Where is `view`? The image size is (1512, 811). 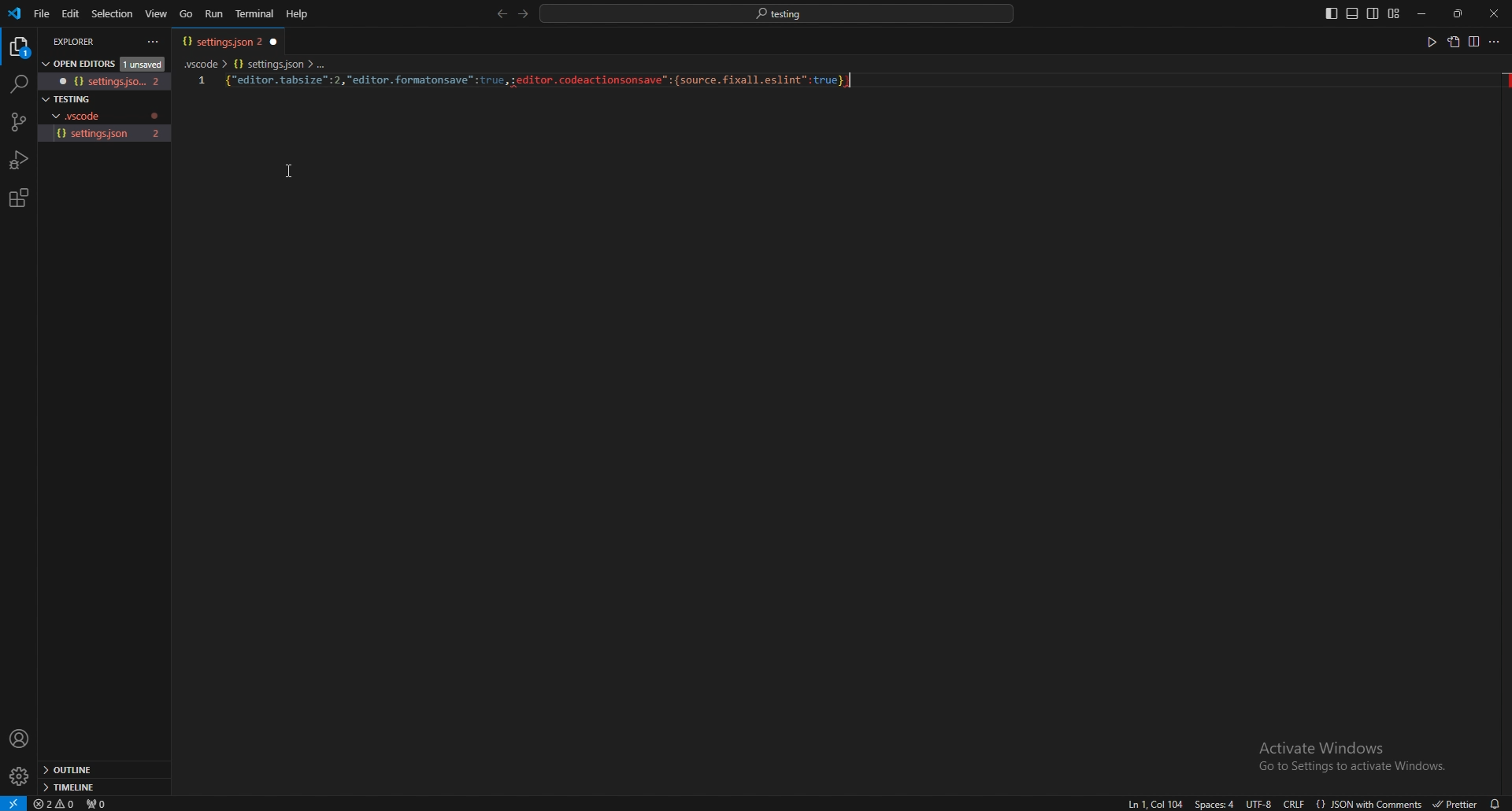
view is located at coordinates (157, 13).